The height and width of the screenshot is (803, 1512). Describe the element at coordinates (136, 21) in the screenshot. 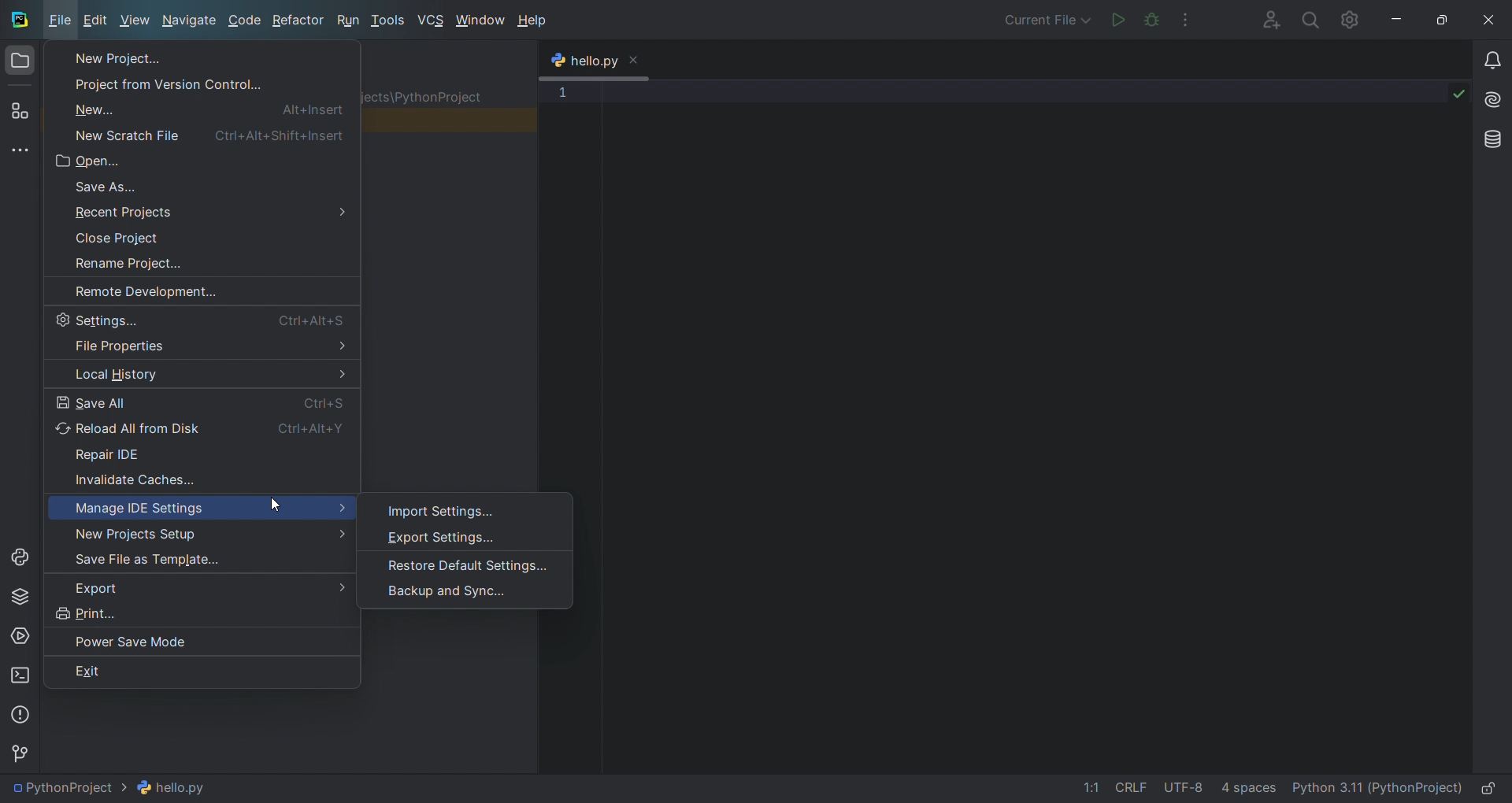

I see `view` at that location.